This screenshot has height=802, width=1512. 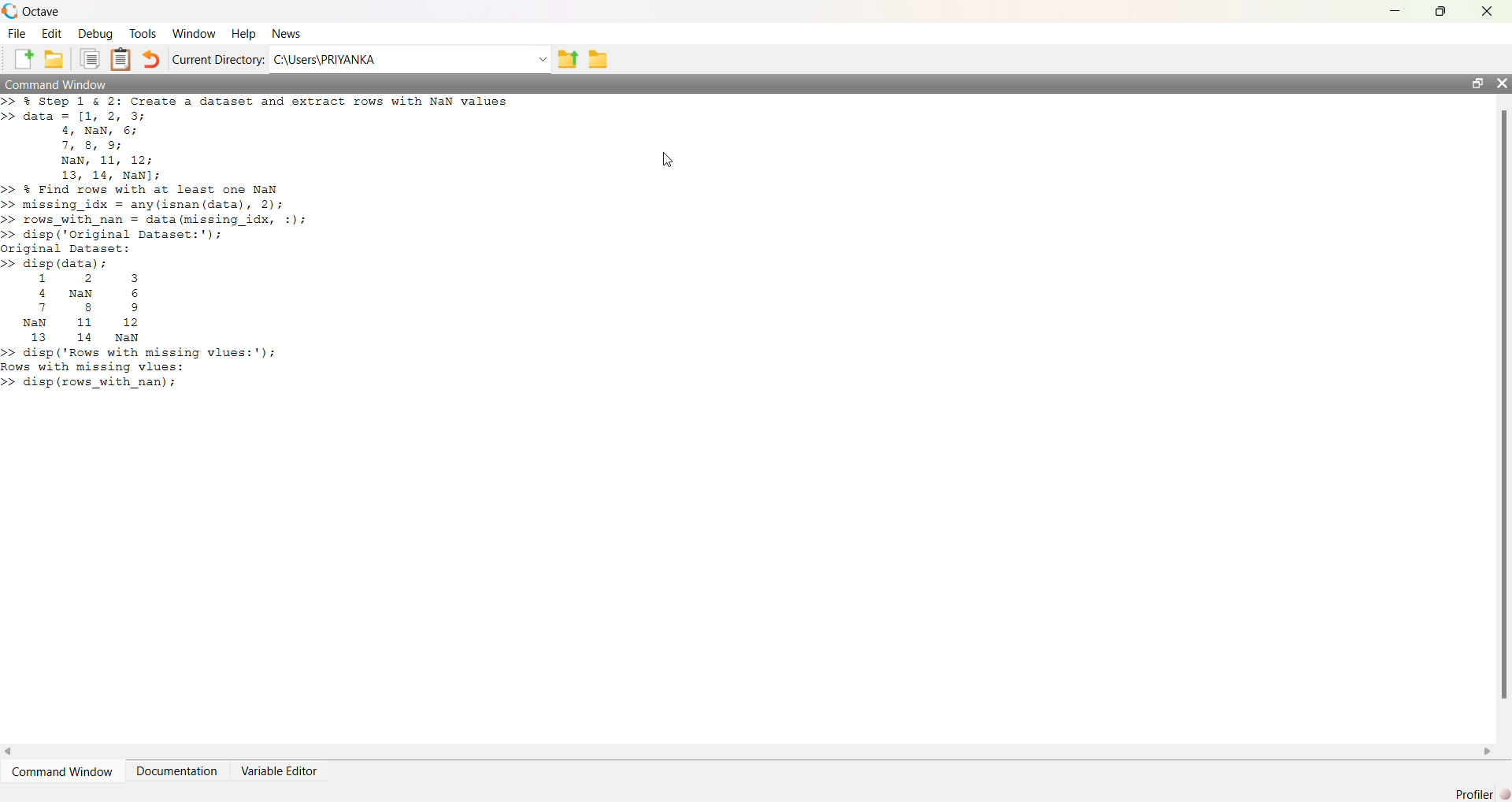 What do you see at coordinates (41, 11) in the screenshot?
I see `Octave` at bounding box center [41, 11].